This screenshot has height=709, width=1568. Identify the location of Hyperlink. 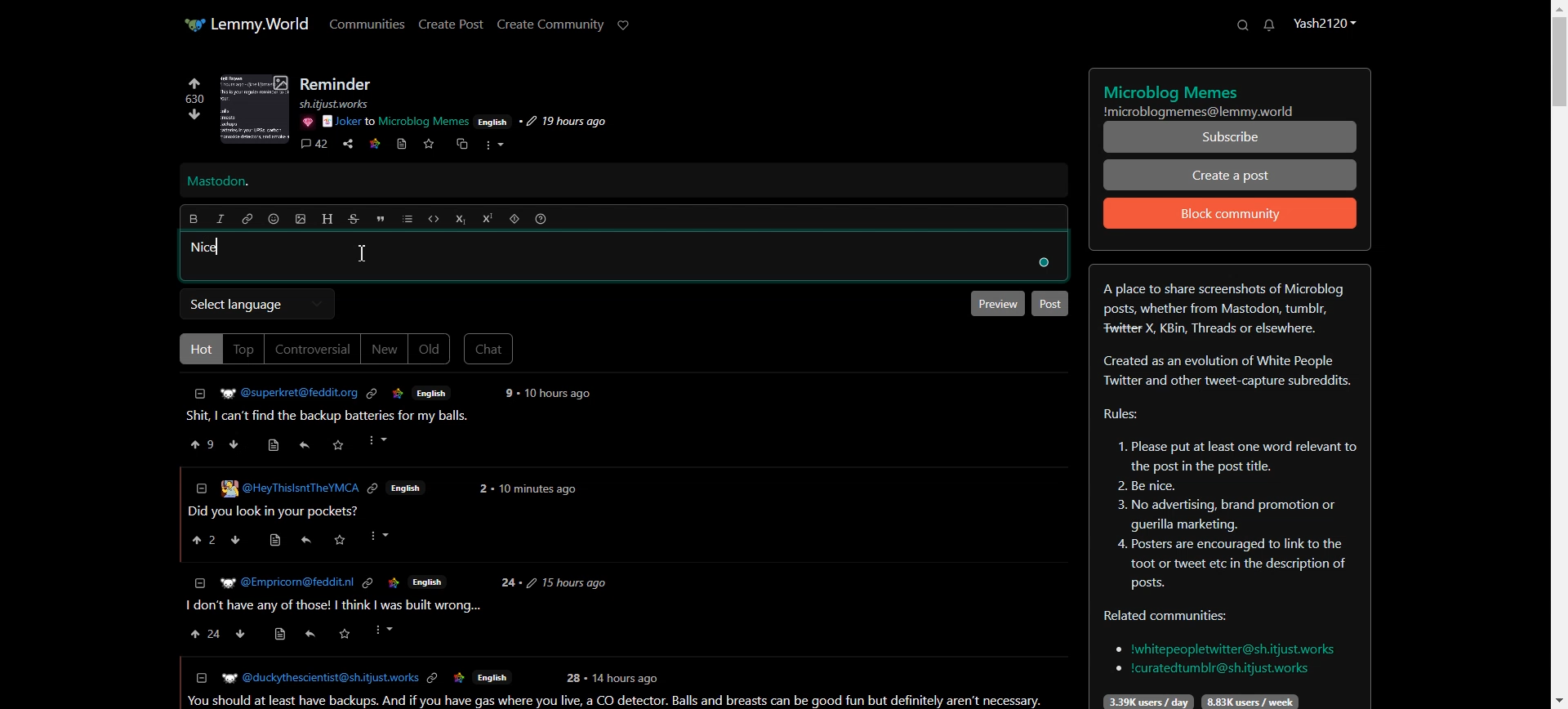
(247, 219).